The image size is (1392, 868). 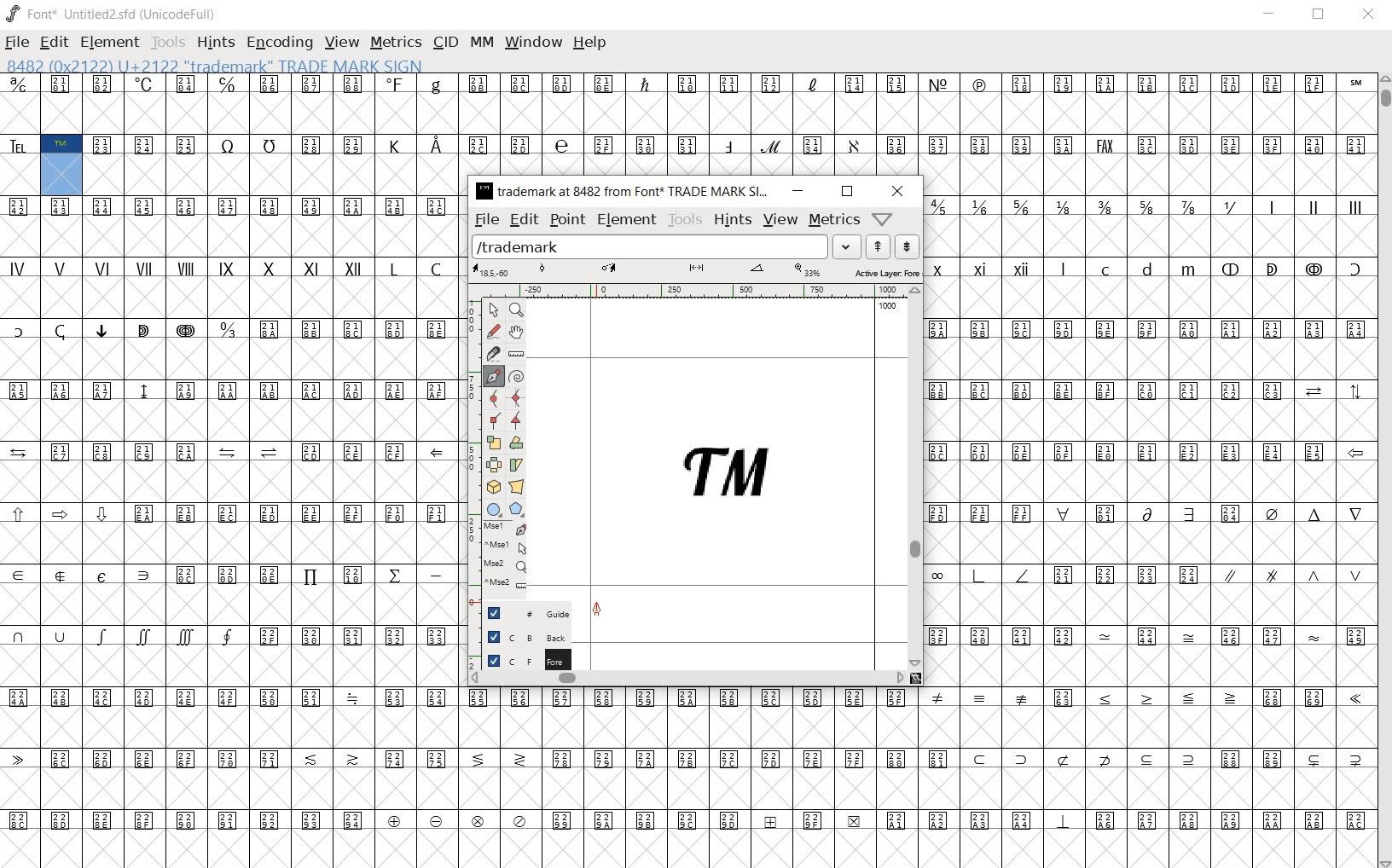 What do you see at coordinates (1149, 348) in the screenshot?
I see `symbols` at bounding box center [1149, 348].